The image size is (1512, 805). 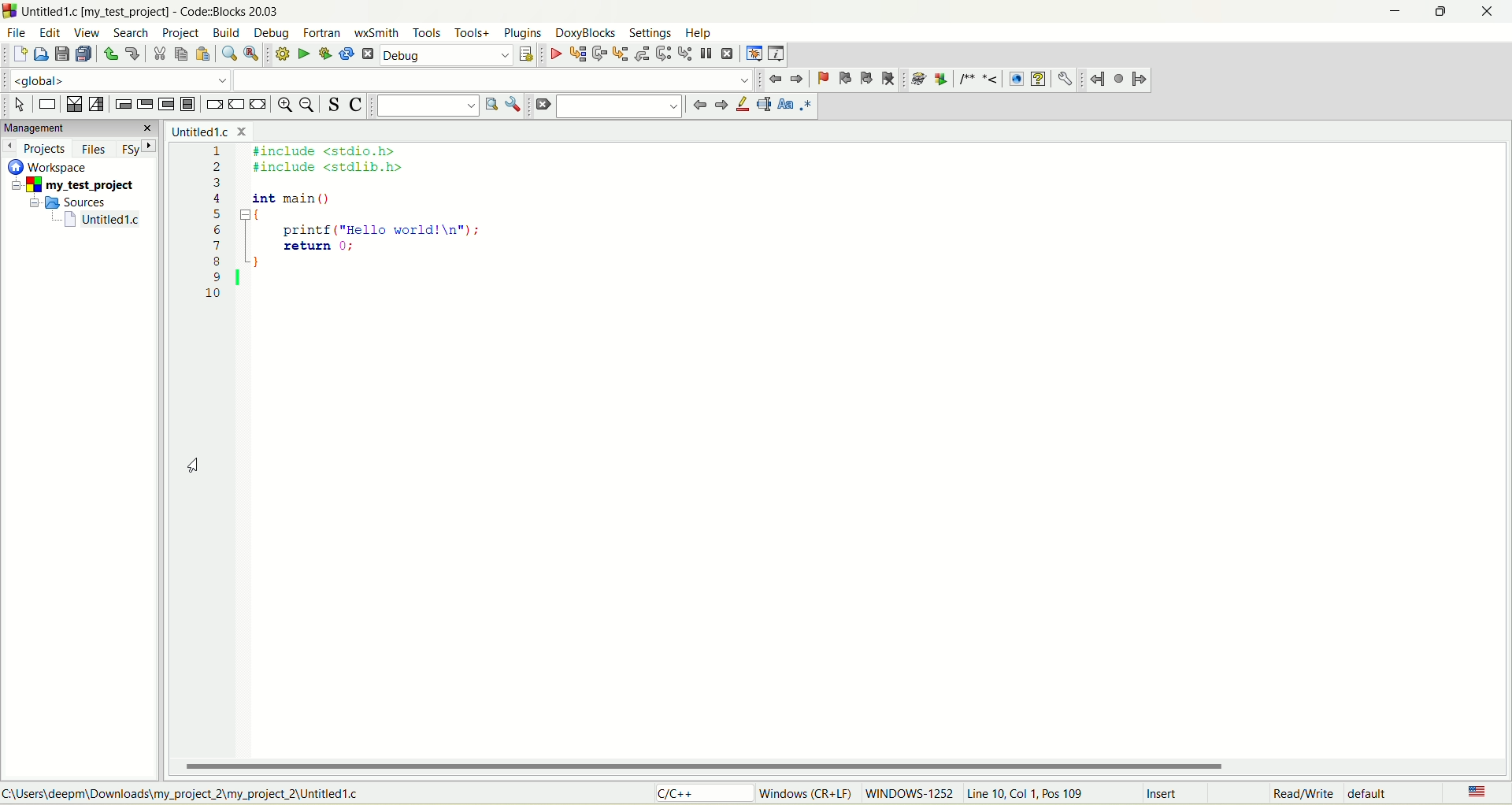 What do you see at coordinates (787, 105) in the screenshot?
I see `match case` at bounding box center [787, 105].